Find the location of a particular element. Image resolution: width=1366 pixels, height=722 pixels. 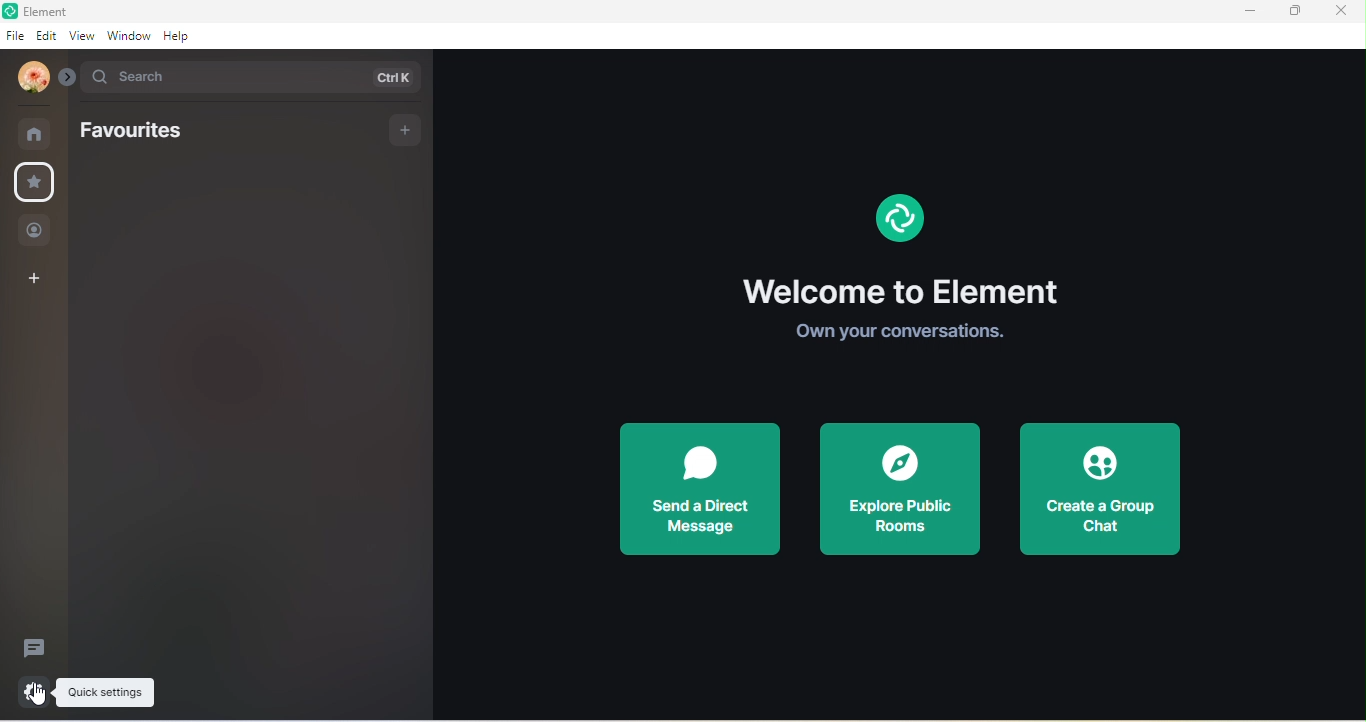

send a direct message is located at coordinates (700, 489).